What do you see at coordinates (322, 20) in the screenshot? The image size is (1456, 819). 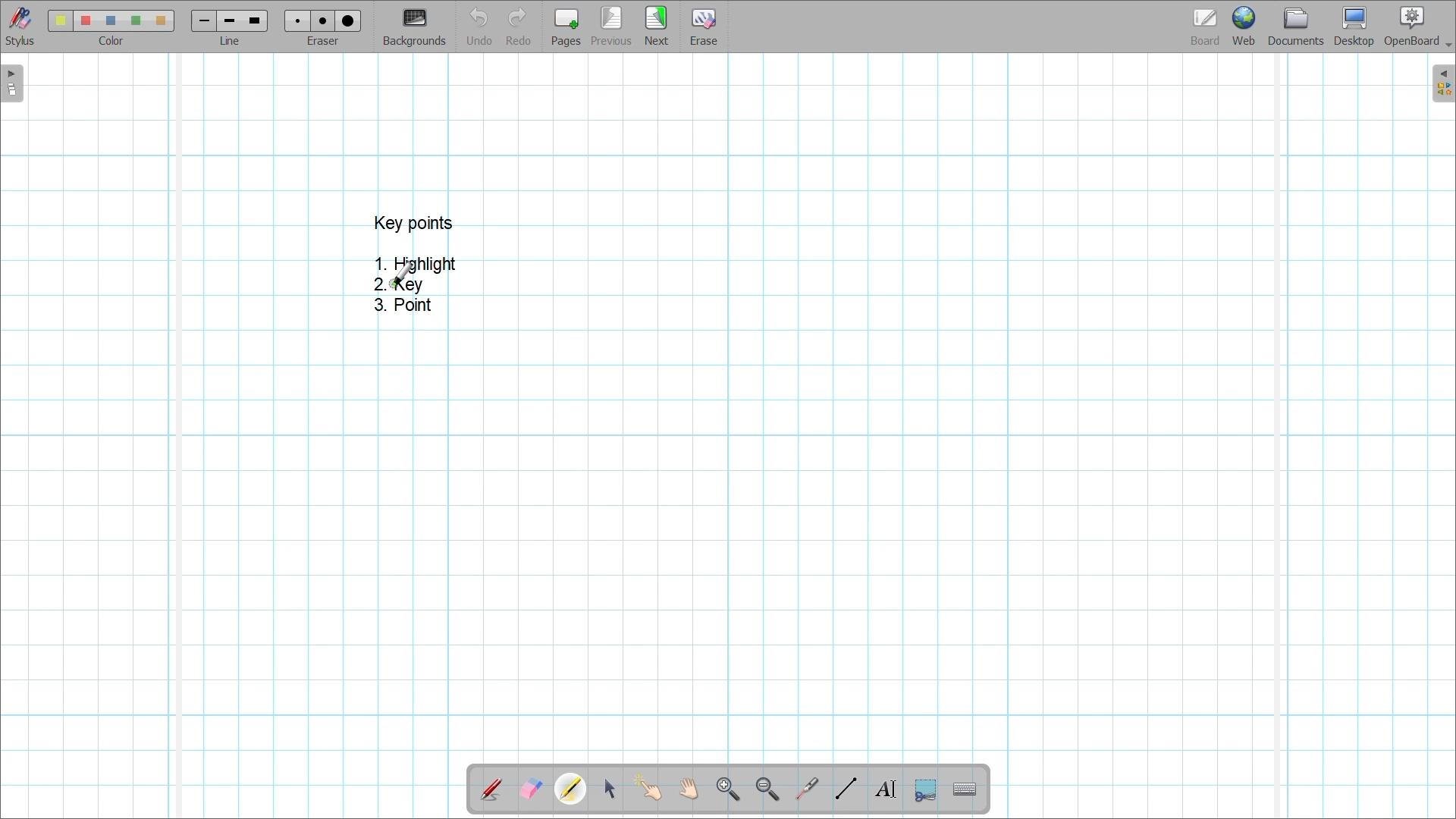 I see `eraser 2` at bounding box center [322, 20].